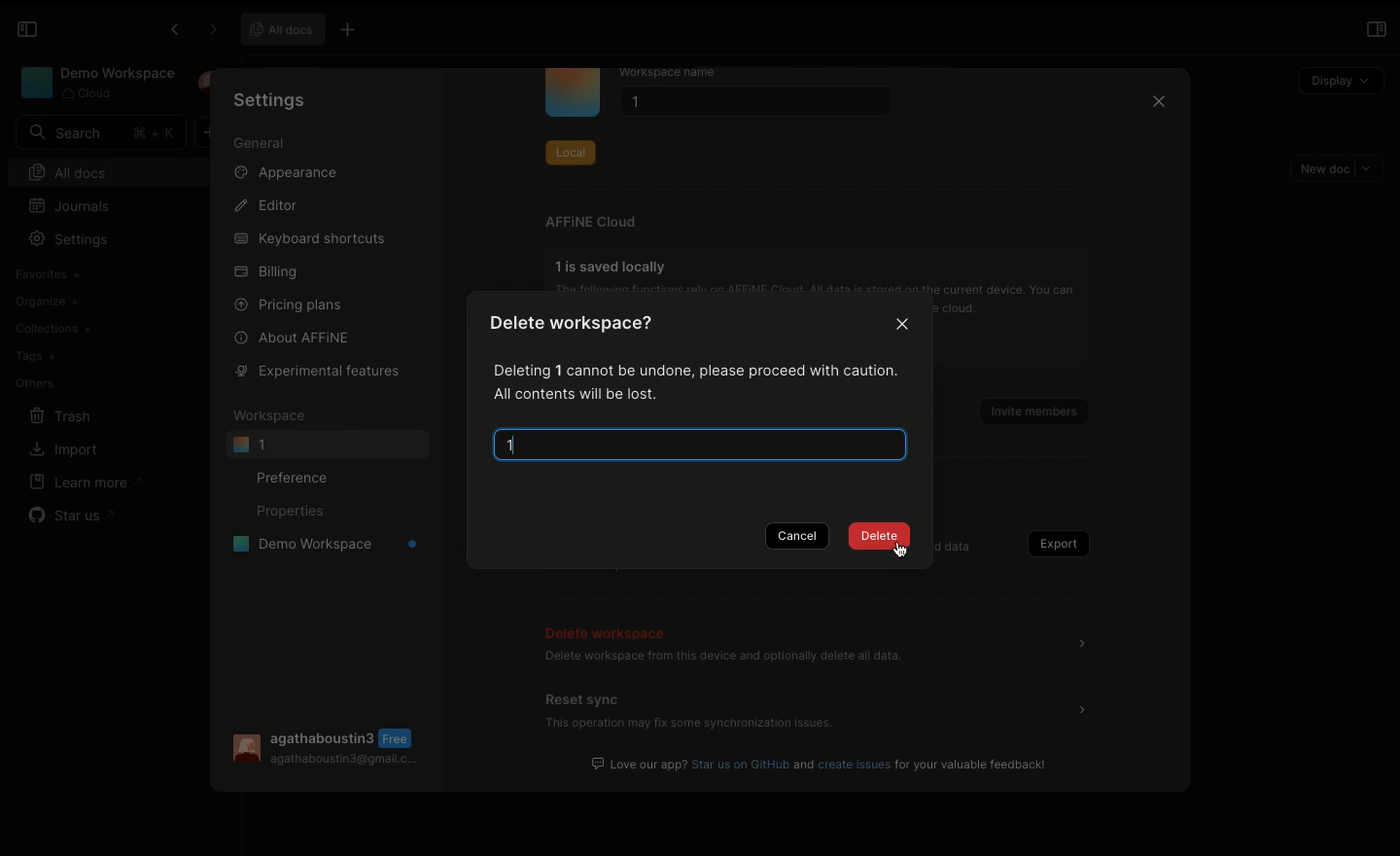  Describe the element at coordinates (1188, 433) in the screenshot. I see `Scroll` at that location.